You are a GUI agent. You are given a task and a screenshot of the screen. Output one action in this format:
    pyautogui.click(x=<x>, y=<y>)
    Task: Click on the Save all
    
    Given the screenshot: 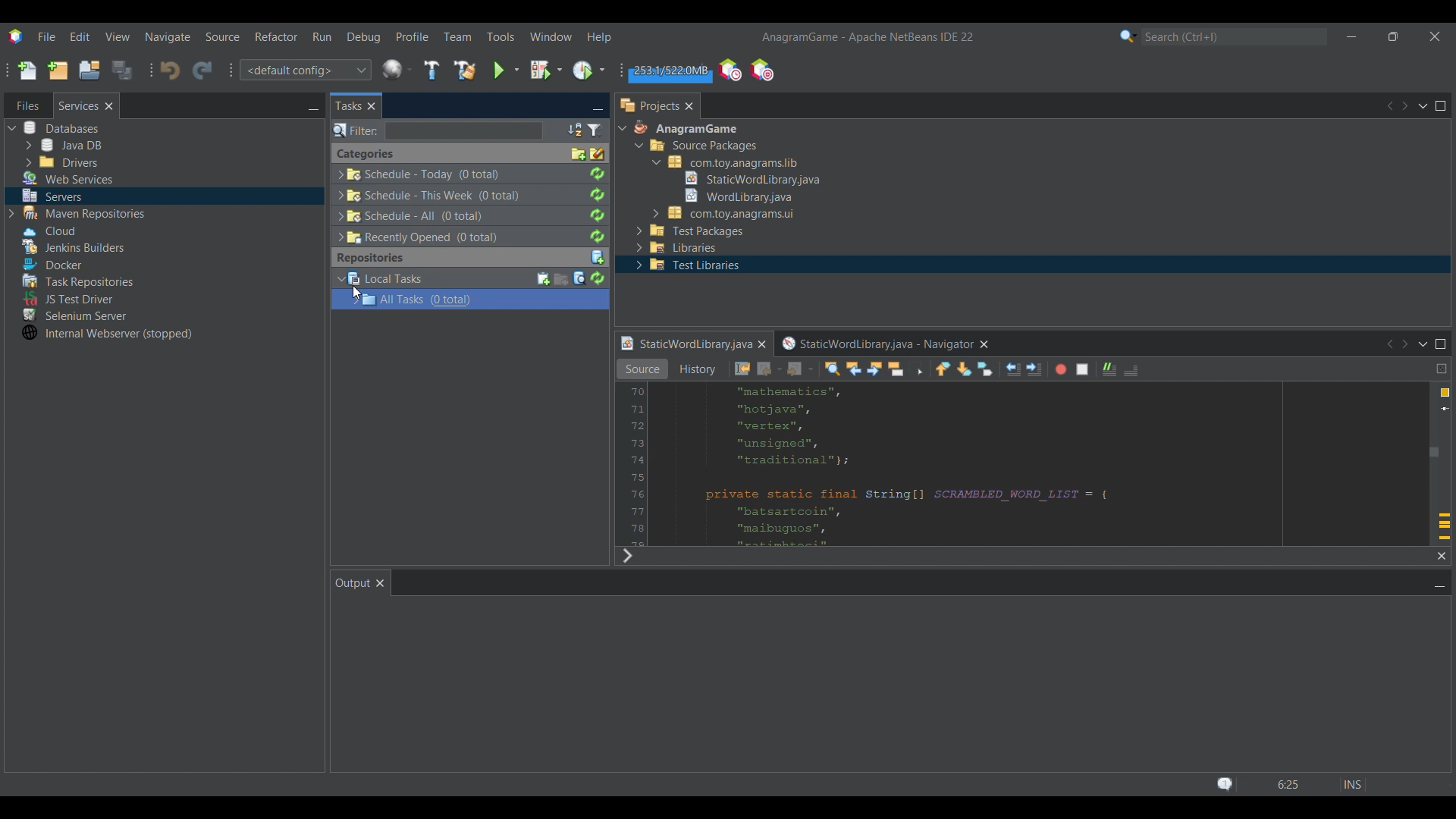 What is the action you would take?
    pyautogui.click(x=123, y=70)
    